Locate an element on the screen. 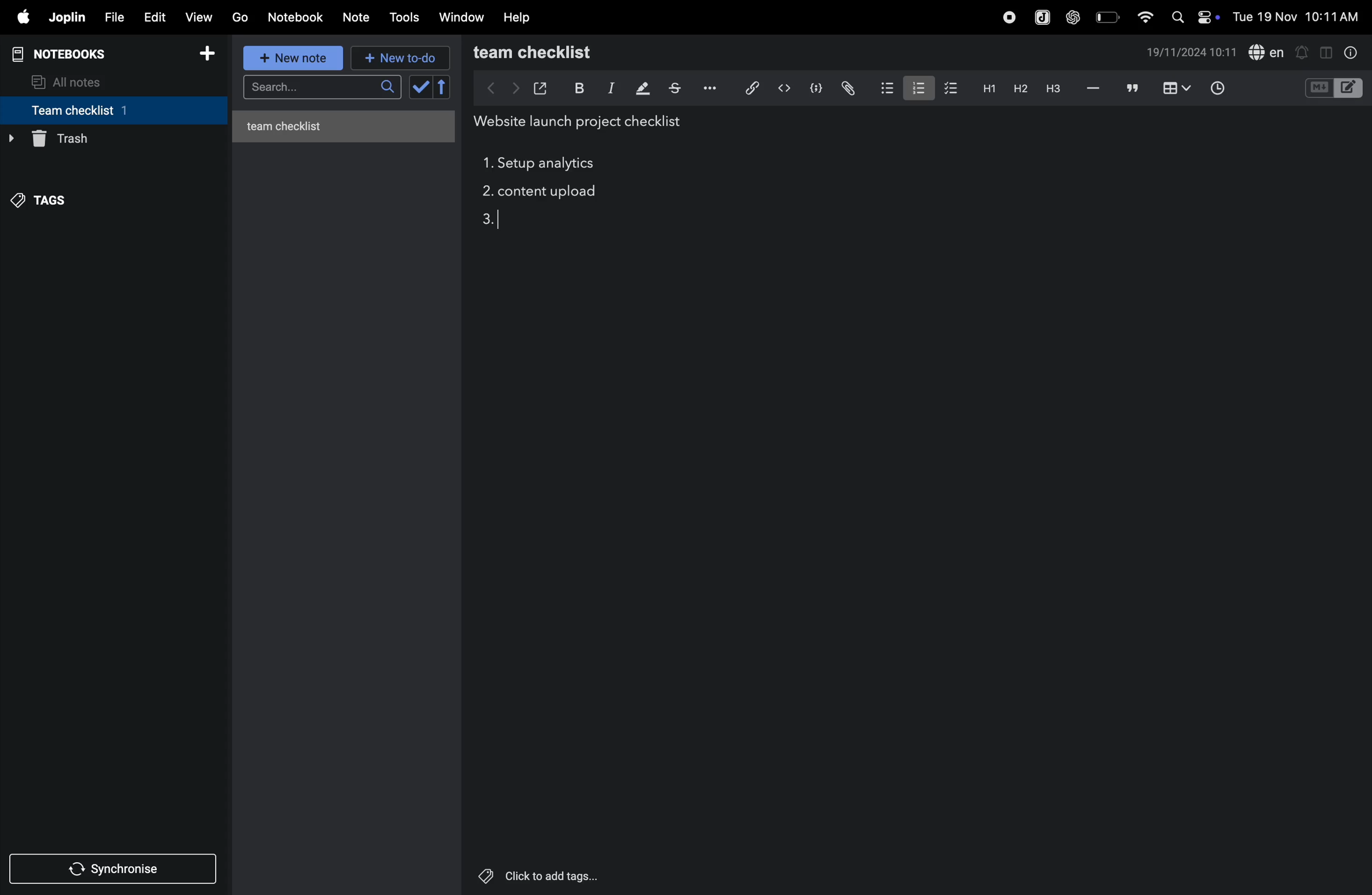 The image size is (1372, 895). heading 3 is located at coordinates (1053, 88).